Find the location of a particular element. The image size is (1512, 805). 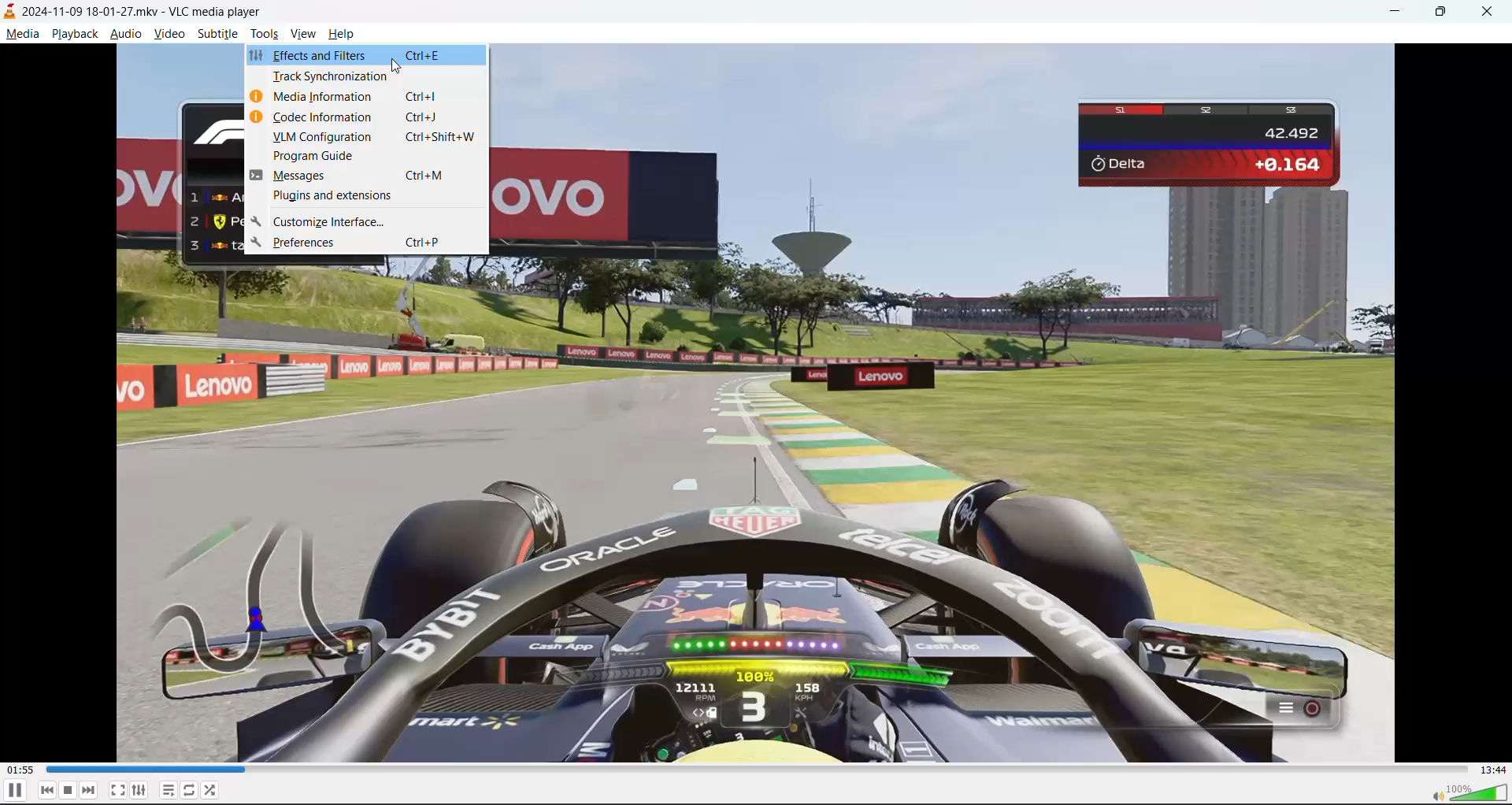

codec information is located at coordinates (365, 117).